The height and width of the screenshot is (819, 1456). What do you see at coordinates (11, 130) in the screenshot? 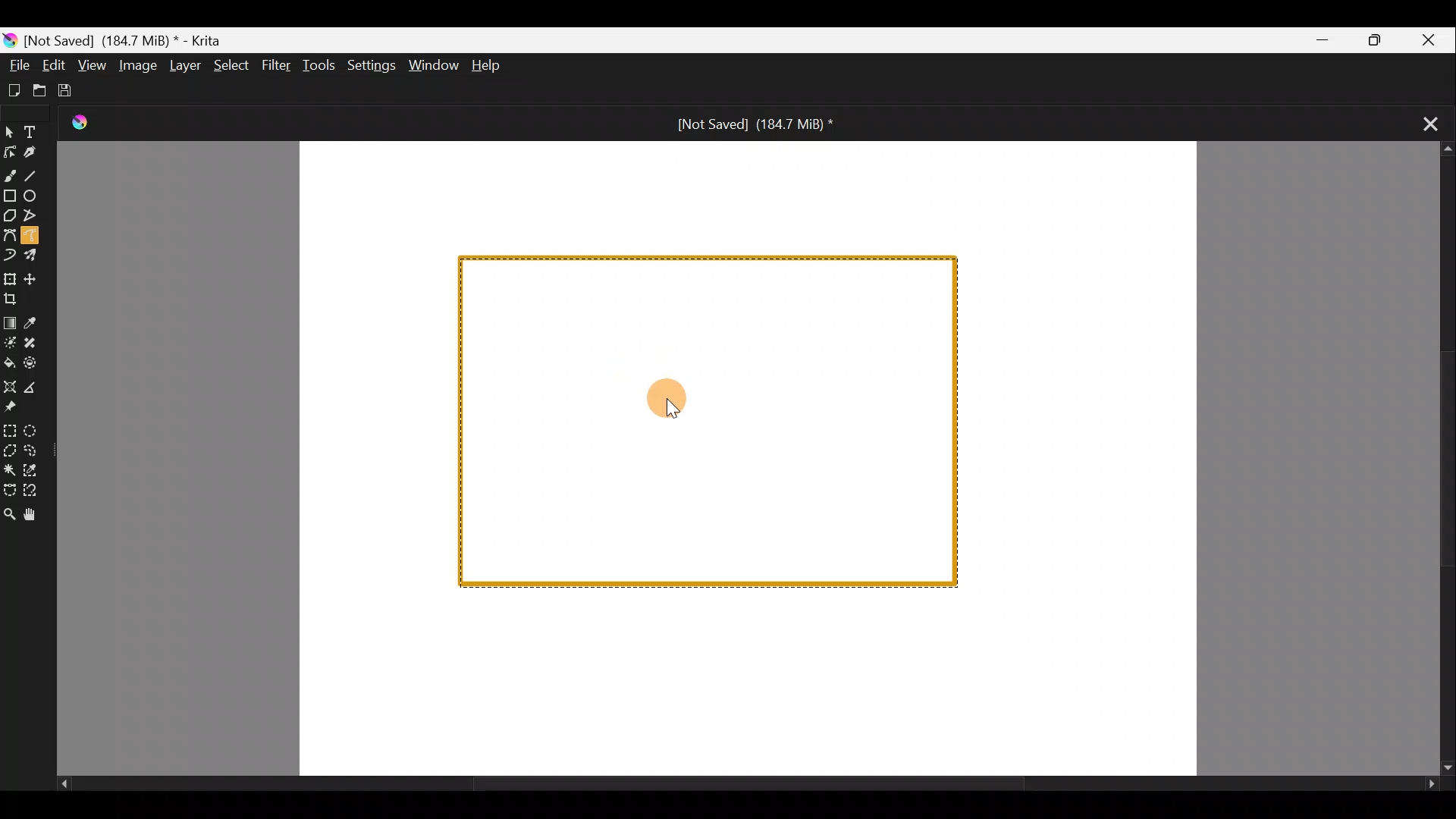
I see `Select shapes` at bounding box center [11, 130].